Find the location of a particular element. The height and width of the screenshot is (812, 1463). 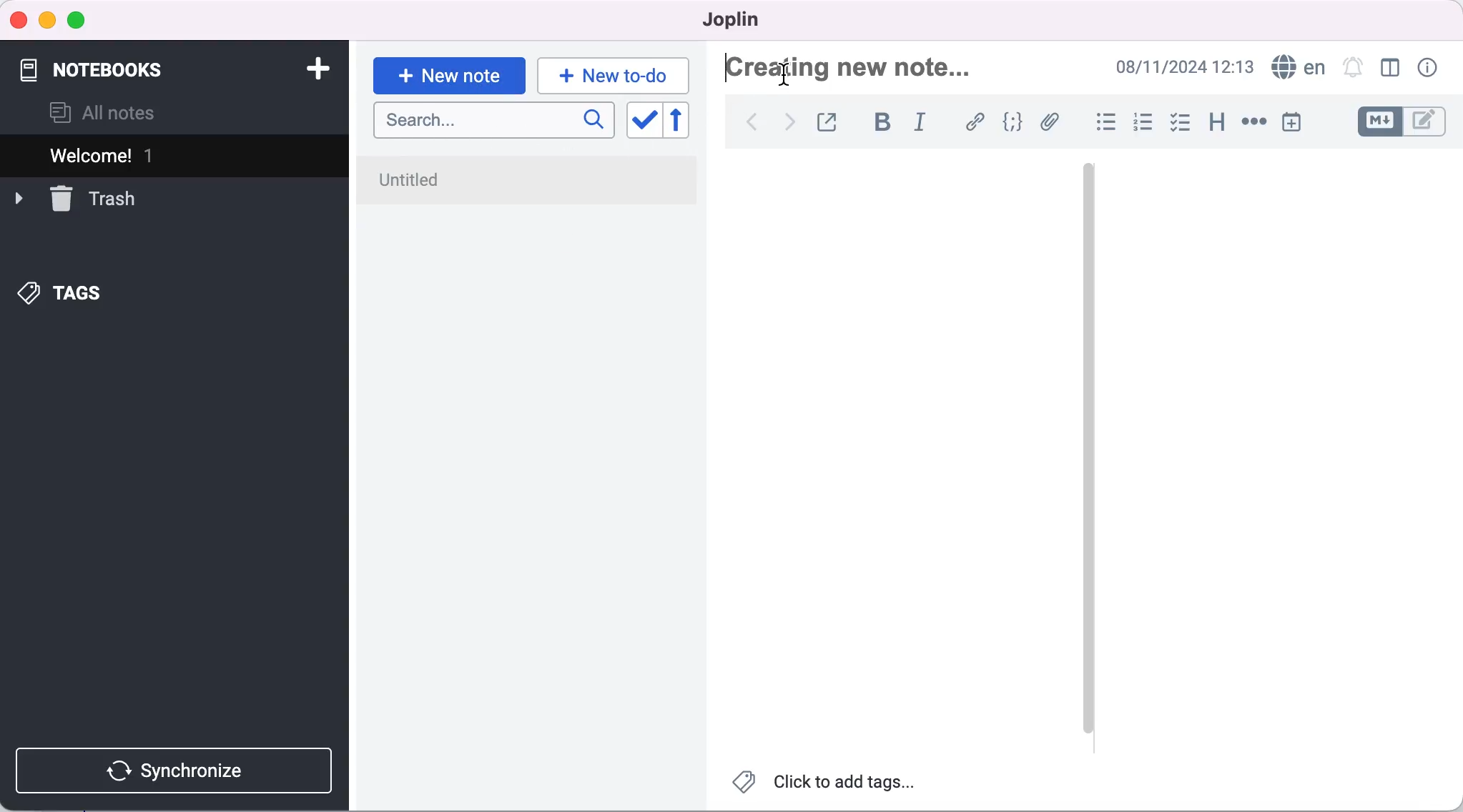

all notes is located at coordinates (103, 113).